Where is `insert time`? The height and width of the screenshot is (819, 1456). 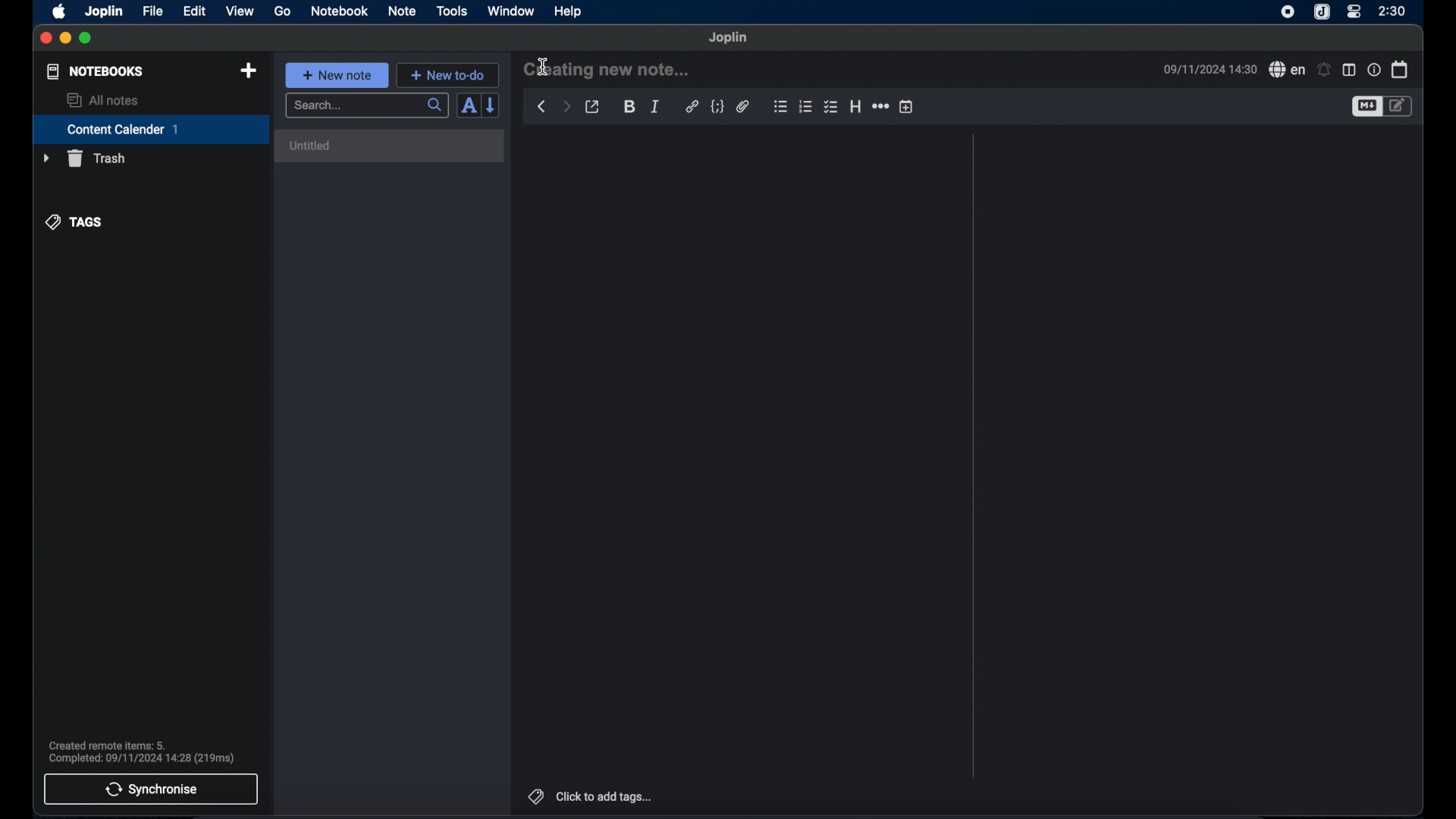 insert time is located at coordinates (906, 106).